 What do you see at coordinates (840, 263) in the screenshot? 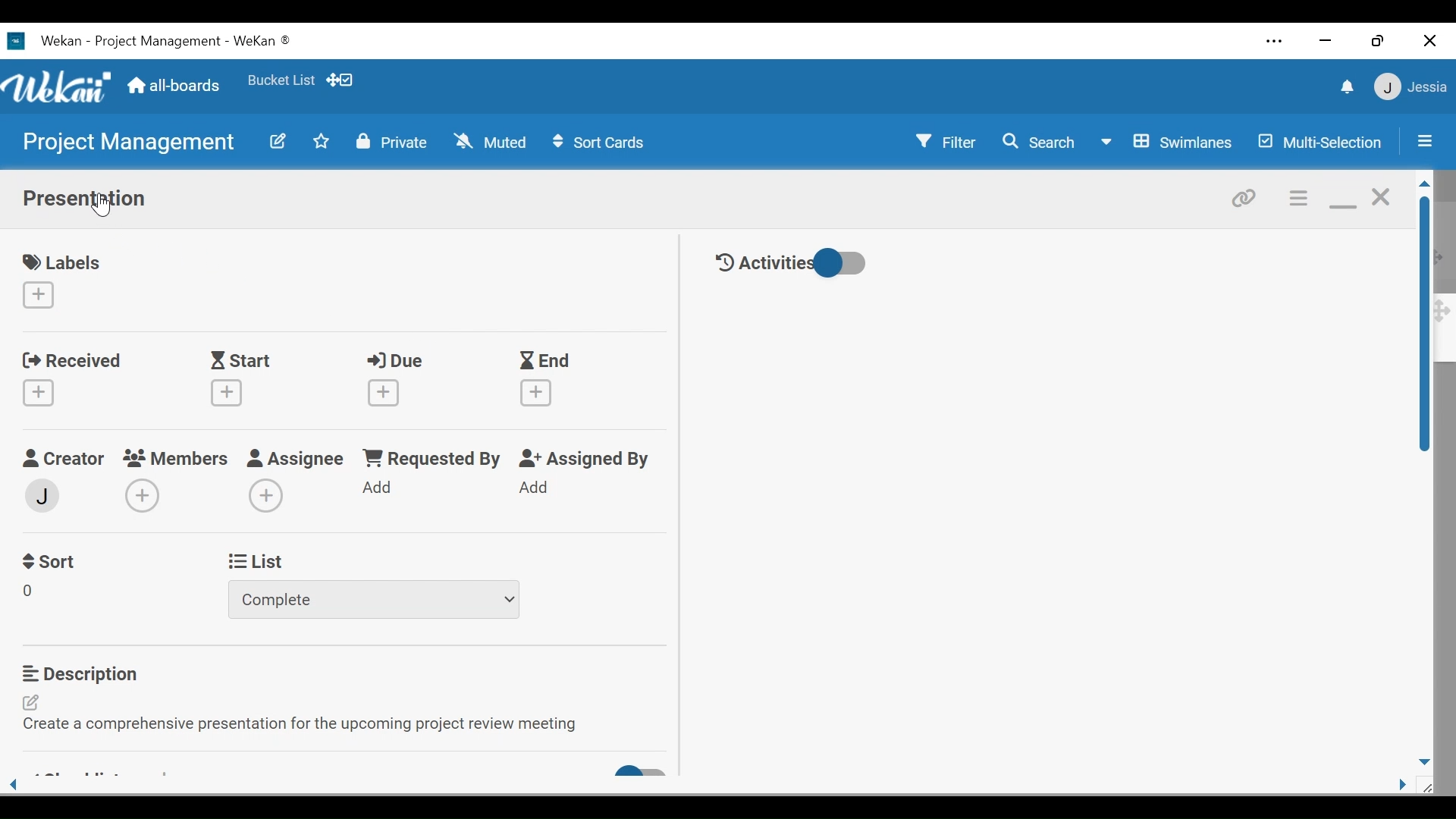
I see `Toggle show/hide History activities` at bounding box center [840, 263].